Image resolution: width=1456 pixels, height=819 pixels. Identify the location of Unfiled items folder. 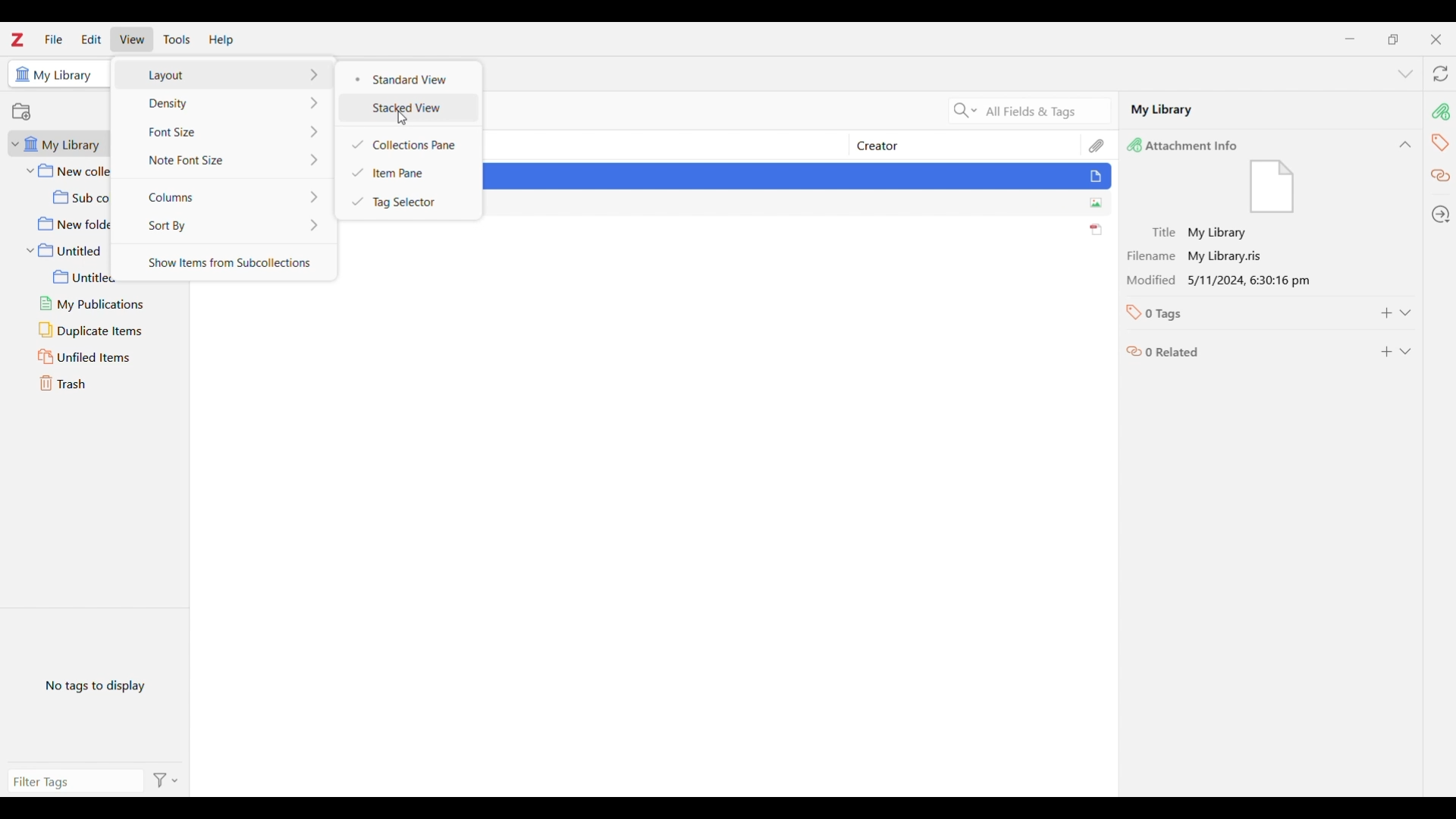
(99, 356).